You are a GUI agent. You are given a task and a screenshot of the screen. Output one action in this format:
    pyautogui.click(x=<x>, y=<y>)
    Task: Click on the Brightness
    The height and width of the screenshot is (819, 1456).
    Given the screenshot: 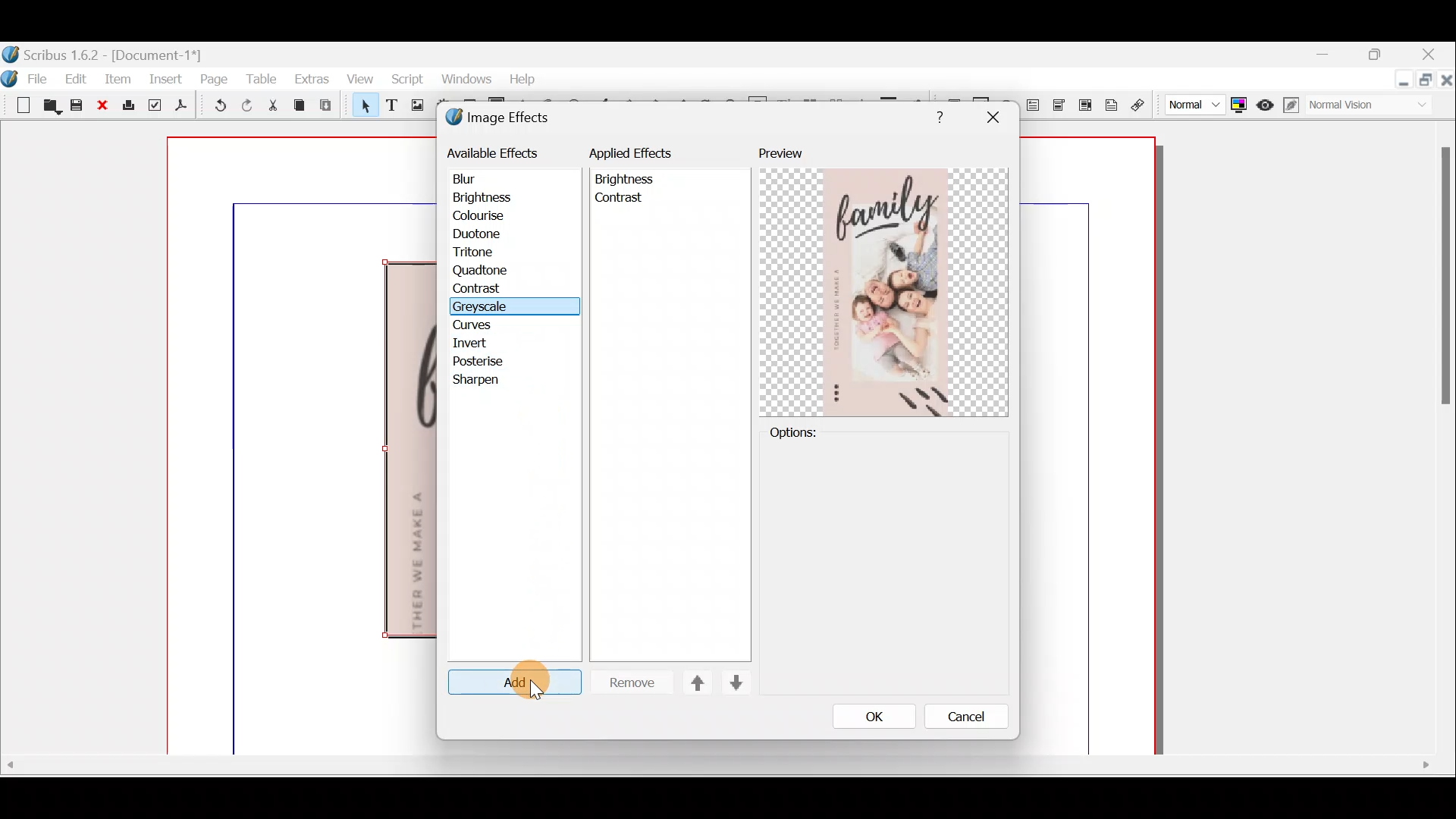 What is the action you would take?
    pyautogui.click(x=626, y=178)
    